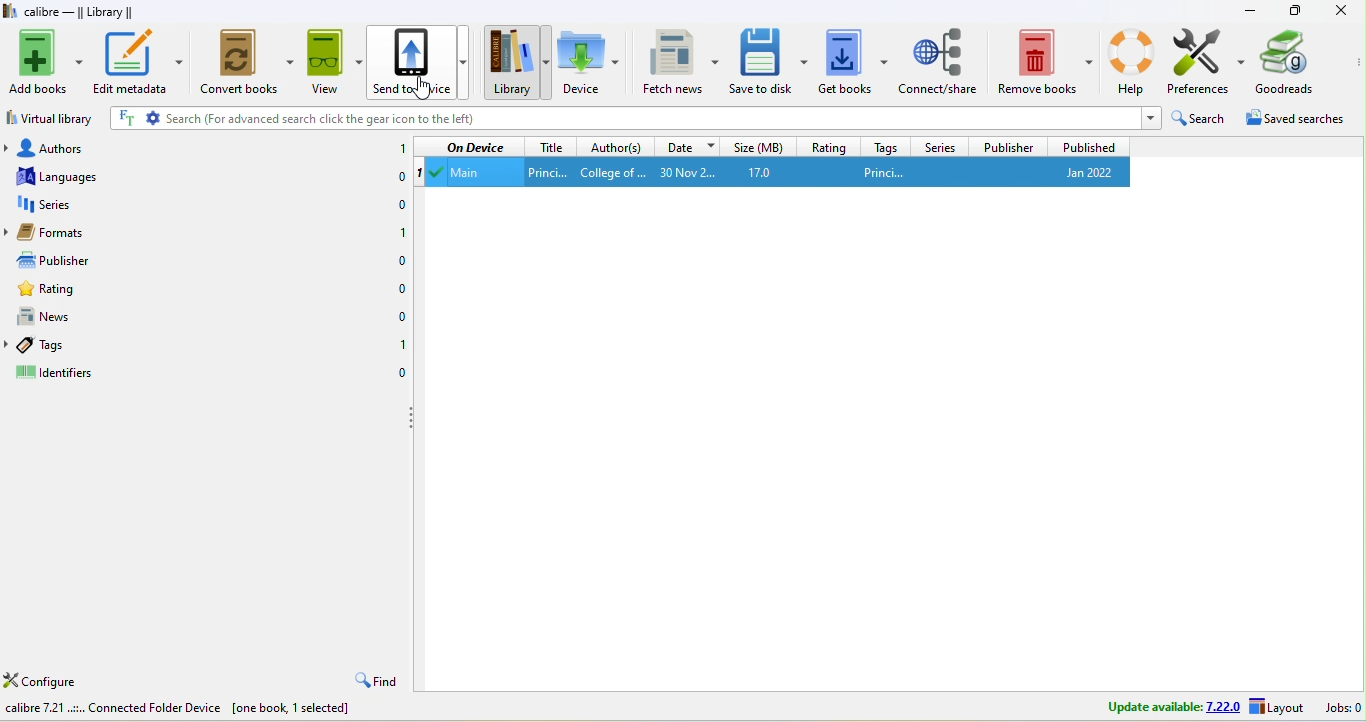 The width and height of the screenshot is (1366, 722). Describe the element at coordinates (887, 146) in the screenshot. I see `tags` at that location.